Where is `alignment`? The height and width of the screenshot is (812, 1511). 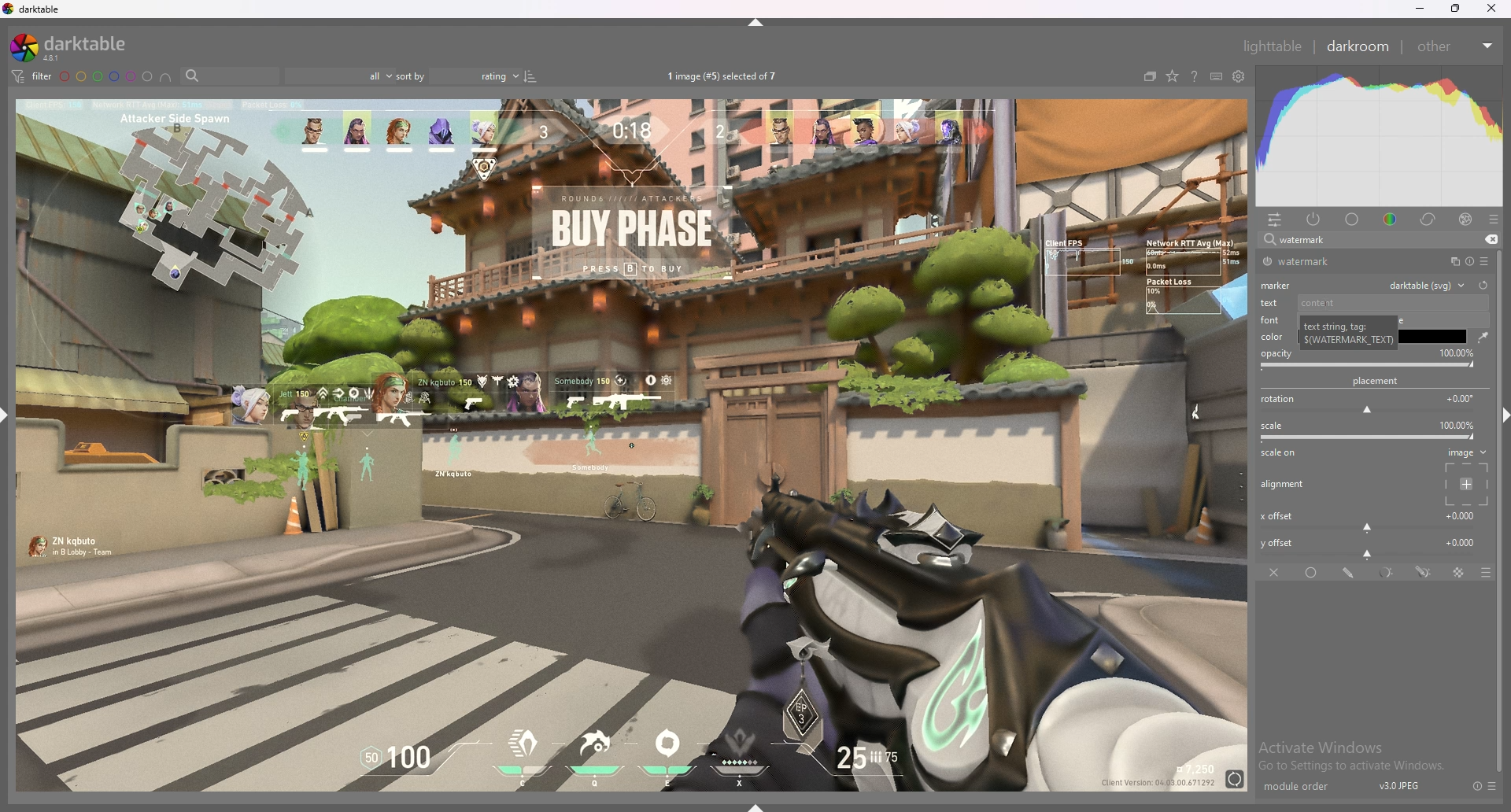 alignment is located at coordinates (1285, 485).